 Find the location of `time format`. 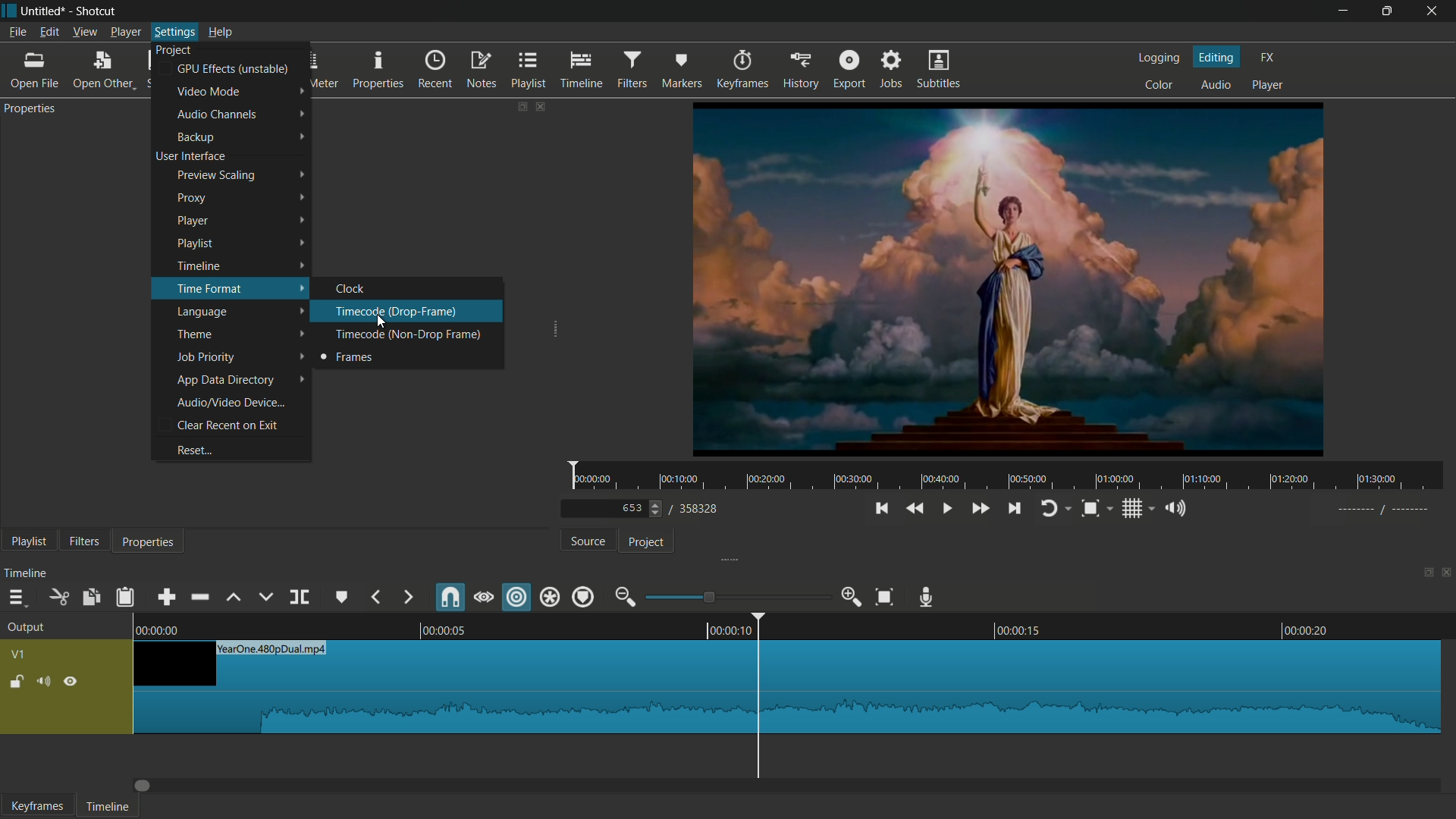

time format is located at coordinates (207, 288).